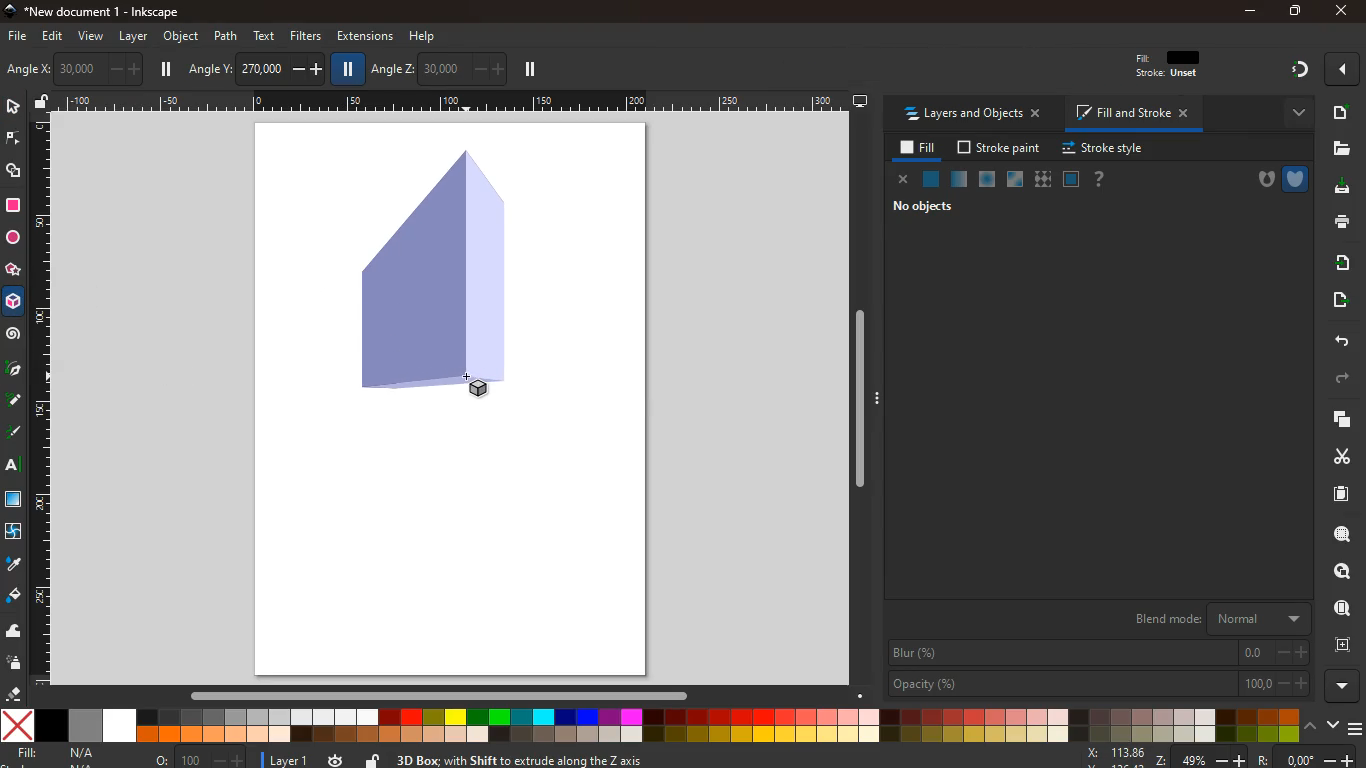 This screenshot has width=1366, height=768. I want to click on angle x, so click(89, 67).